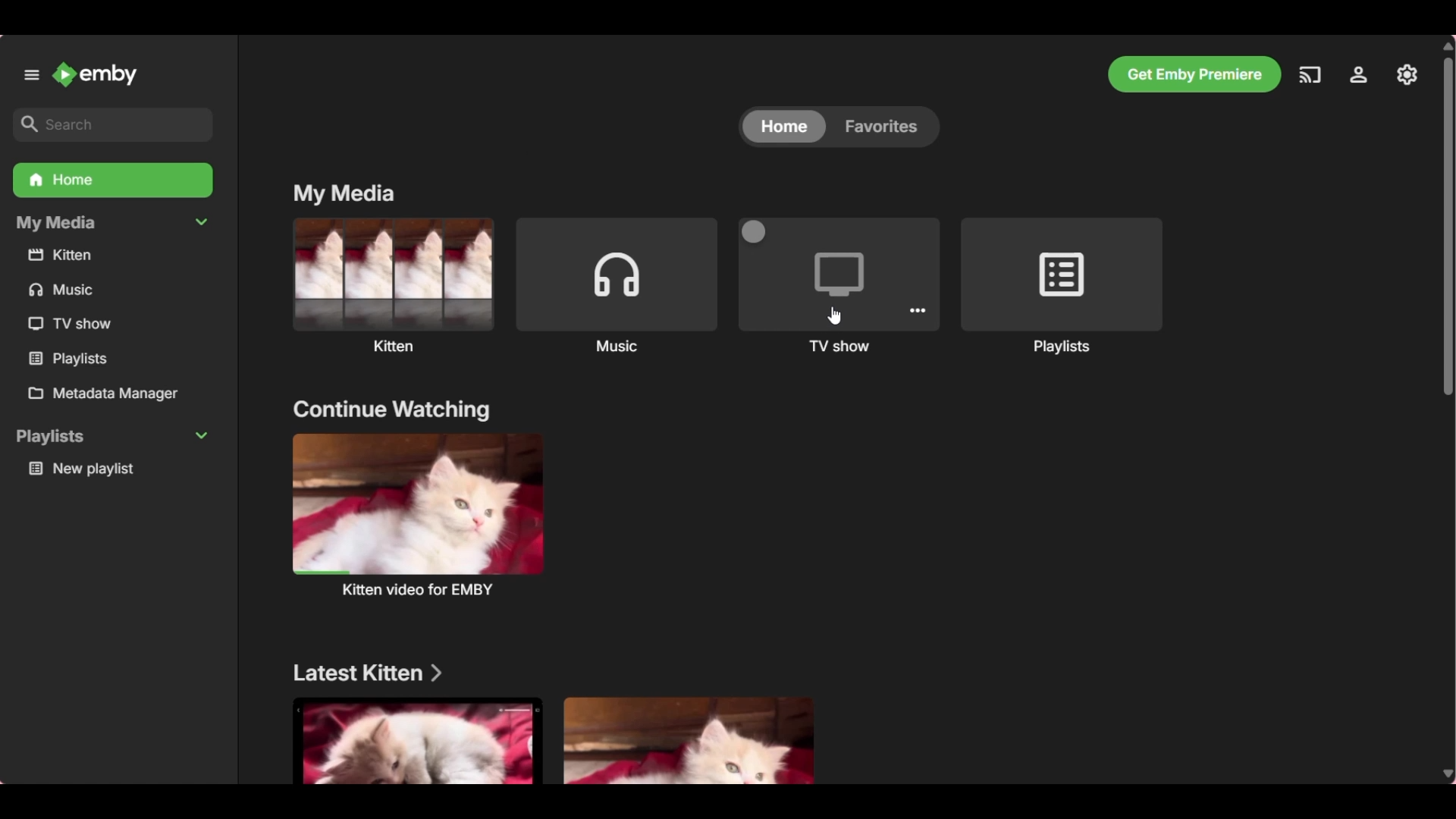 The width and height of the screenshot is (1456, 819). Describe the element at coordinates (344, 194) in the screenshot. I see `Title of section` at that location.